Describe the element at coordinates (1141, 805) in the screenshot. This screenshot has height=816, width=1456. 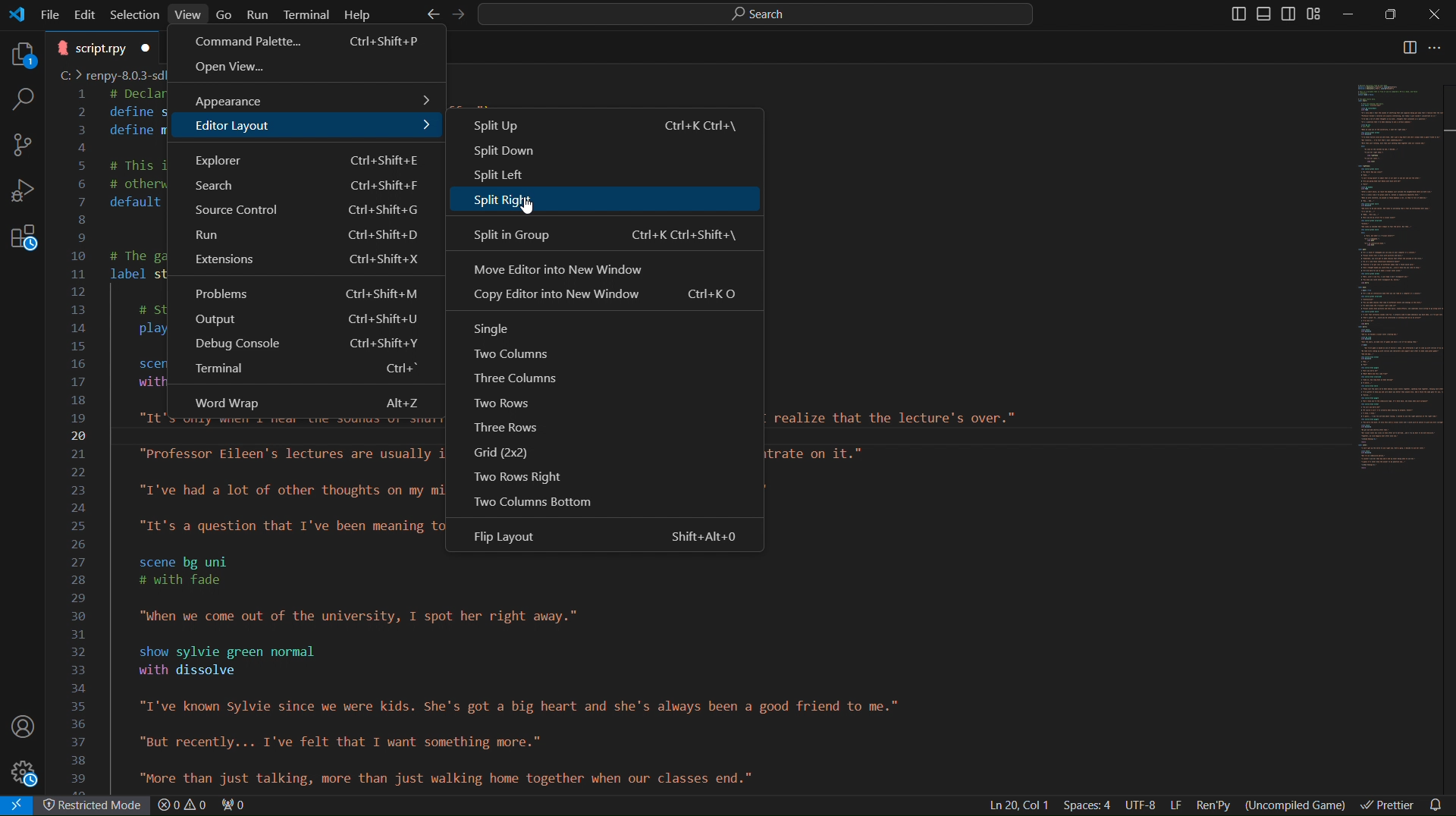
I see `UTF-8` at that location.